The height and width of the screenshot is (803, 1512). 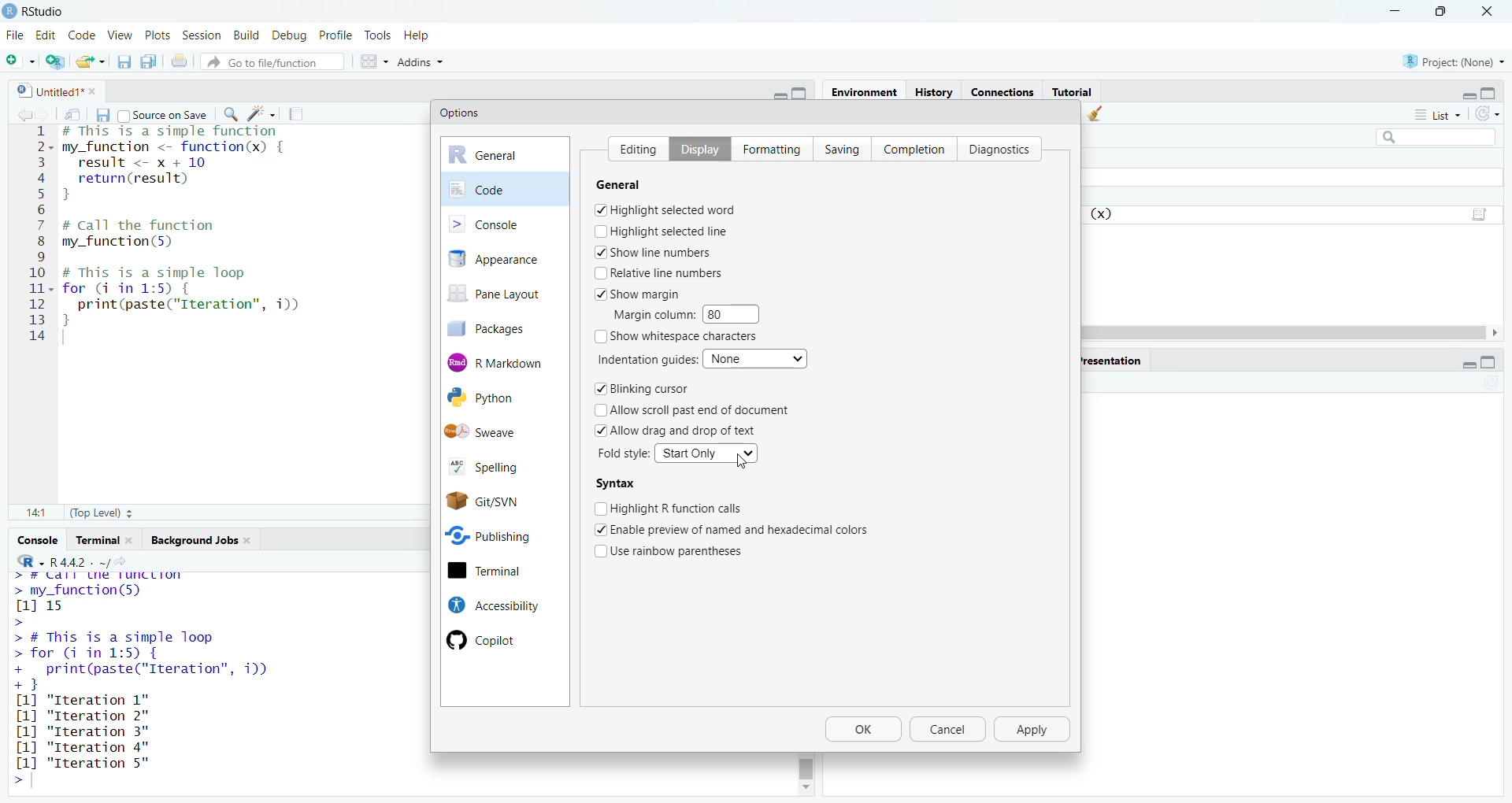 What do you see at coordinates (380, 35) in the screenshot?
I see `tools` at bounding box center [380, 35].